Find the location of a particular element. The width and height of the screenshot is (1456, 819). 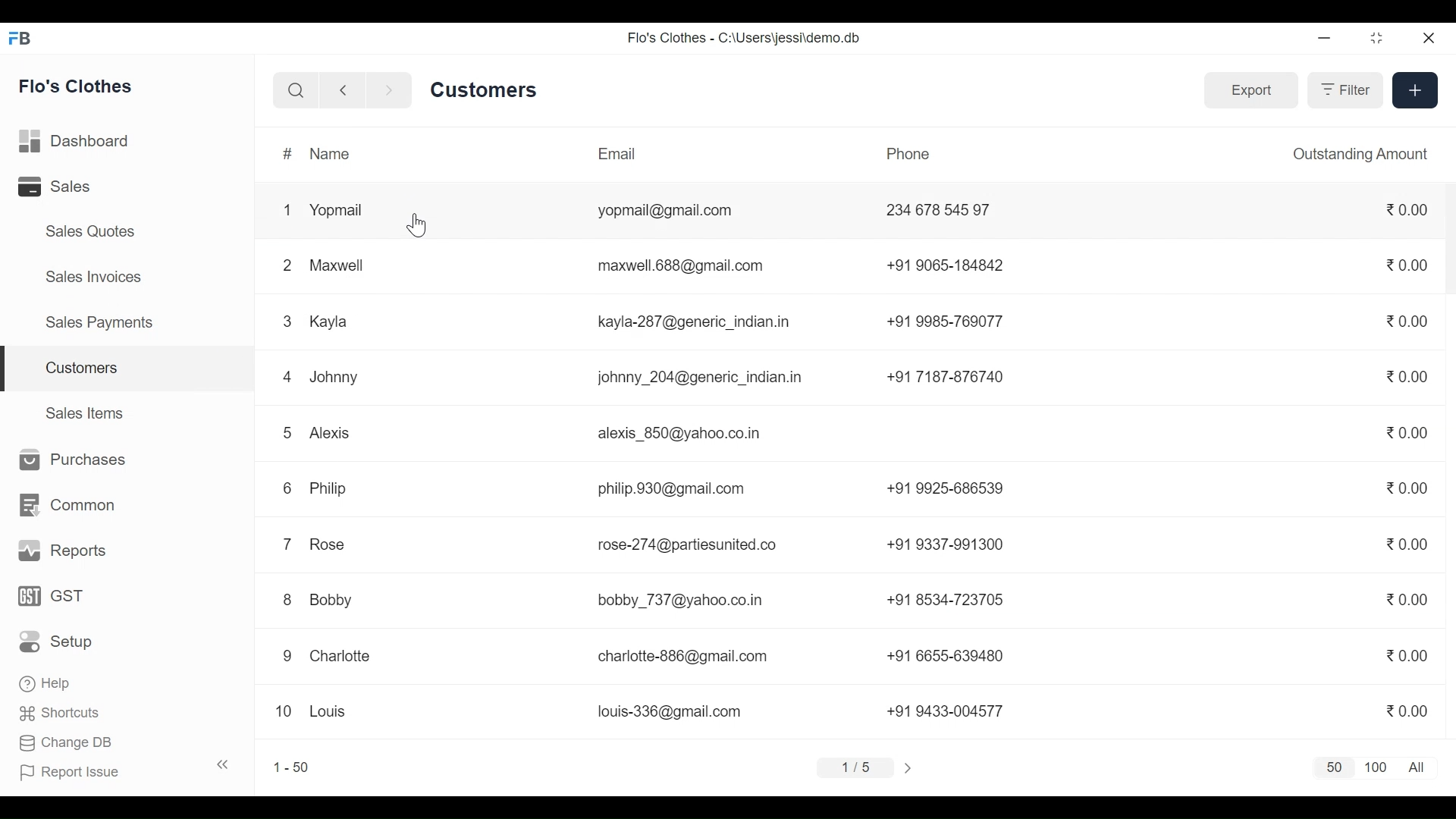

Dashboard is located at coordinates (79, 142).